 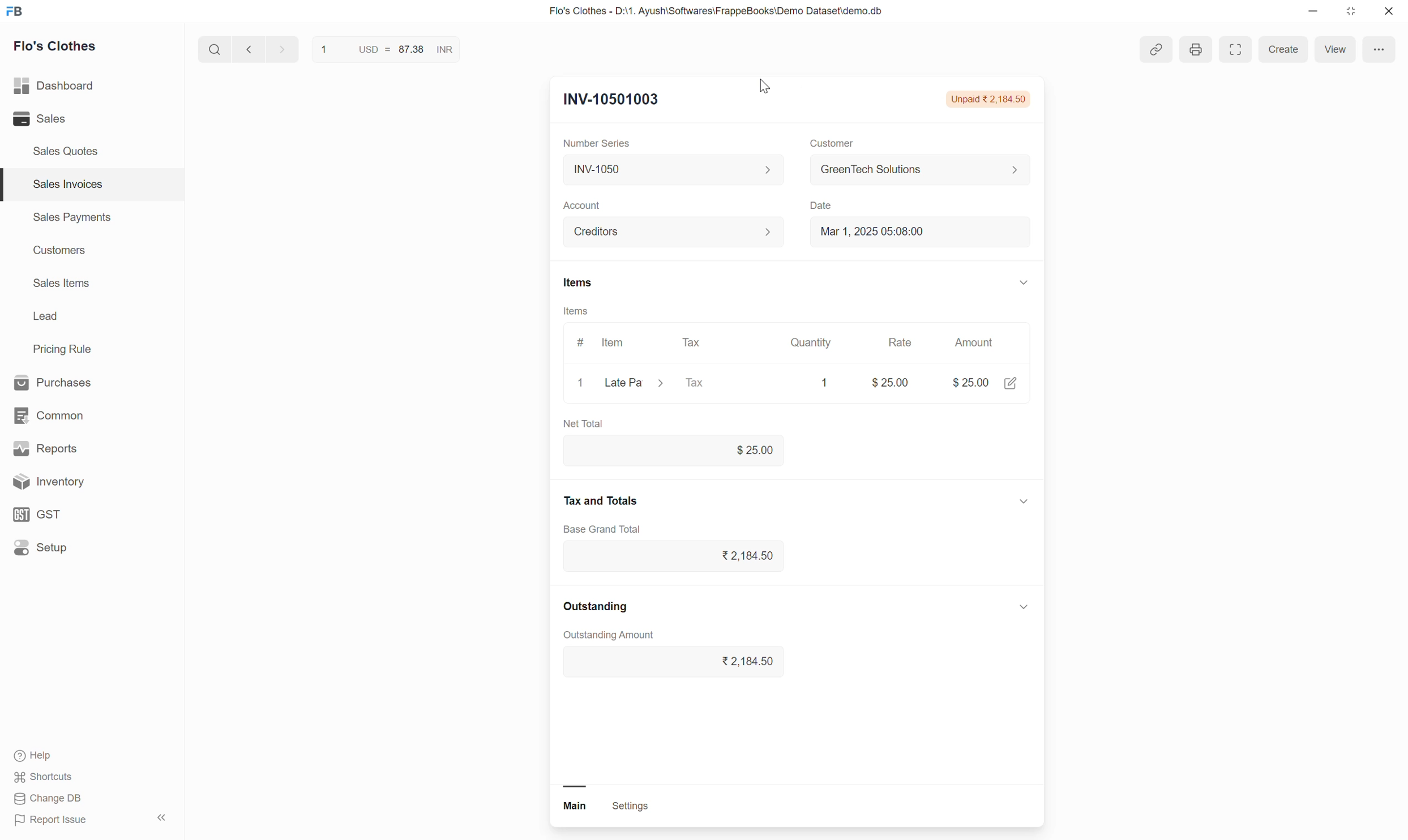 I want to click on minimize , so click(x=1318, y=12).